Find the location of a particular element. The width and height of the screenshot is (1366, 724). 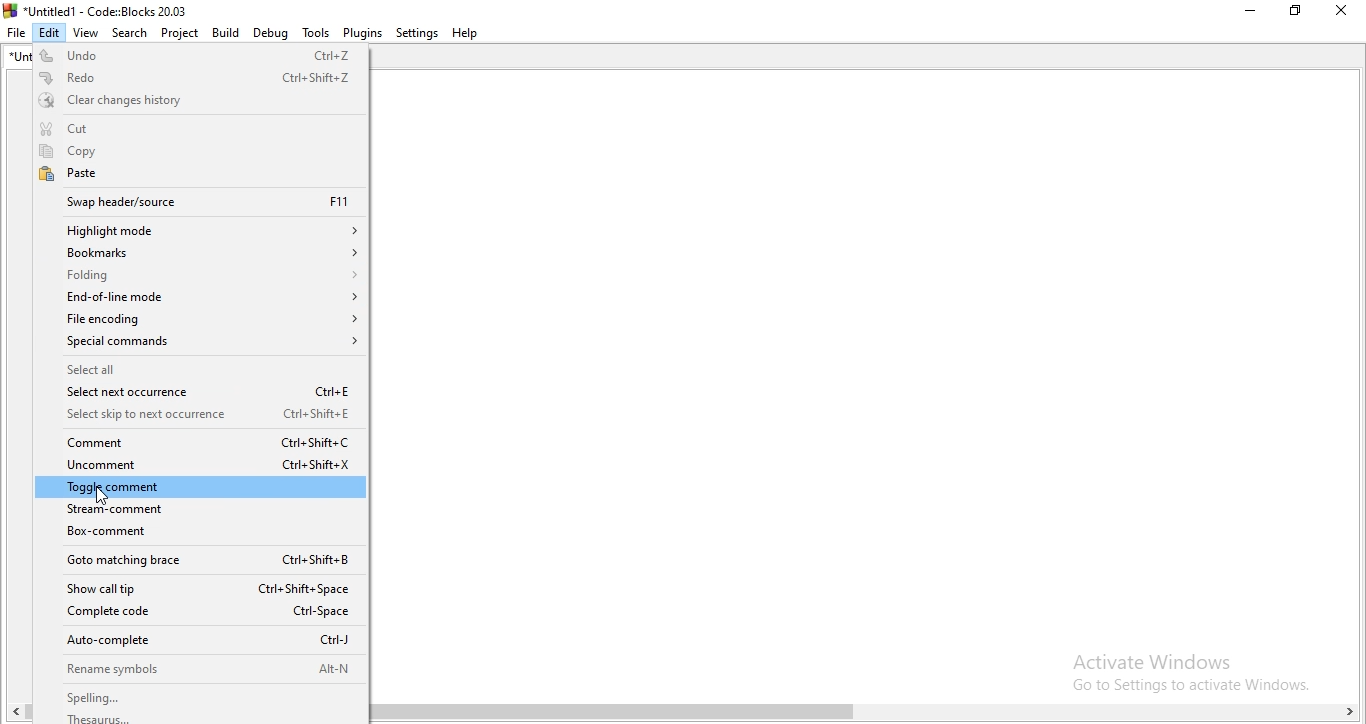

Minimise is located at coordinates (1247, 13).